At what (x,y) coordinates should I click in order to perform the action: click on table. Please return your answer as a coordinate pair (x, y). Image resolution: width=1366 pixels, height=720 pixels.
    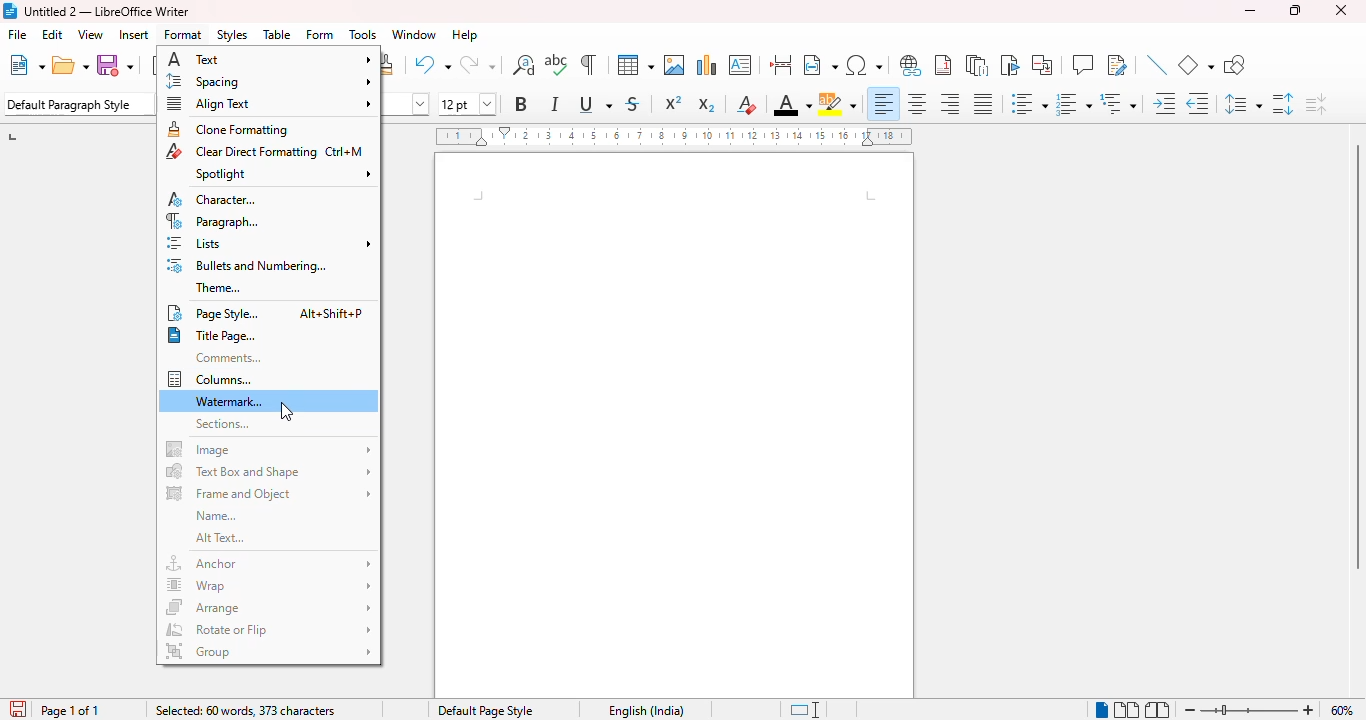
    Looking at the image, I should click on (635, 64).